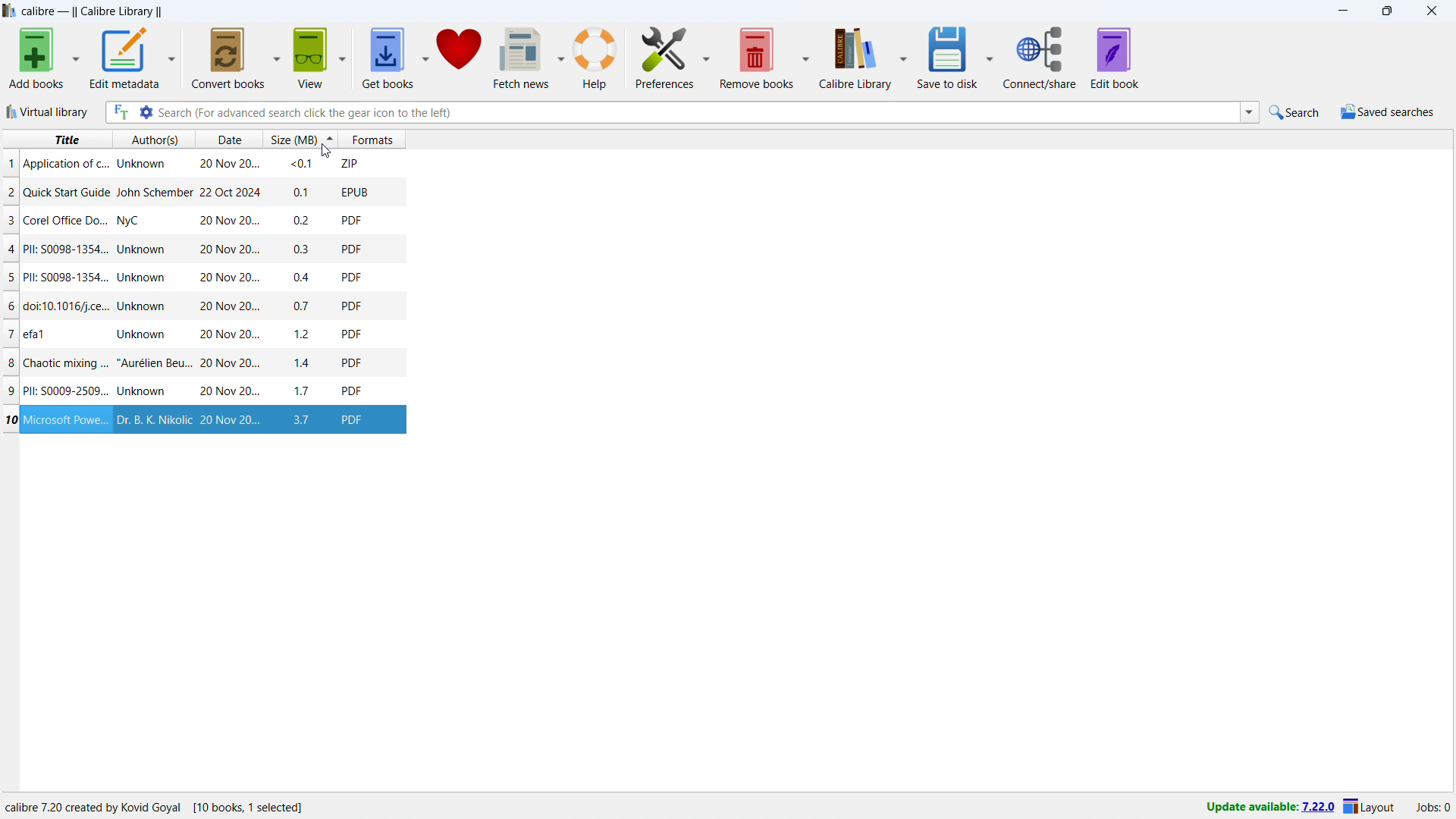  What do you see at coordinates (229, 249) in the screenshot?
I see `date` at bounding box center [229, 249].